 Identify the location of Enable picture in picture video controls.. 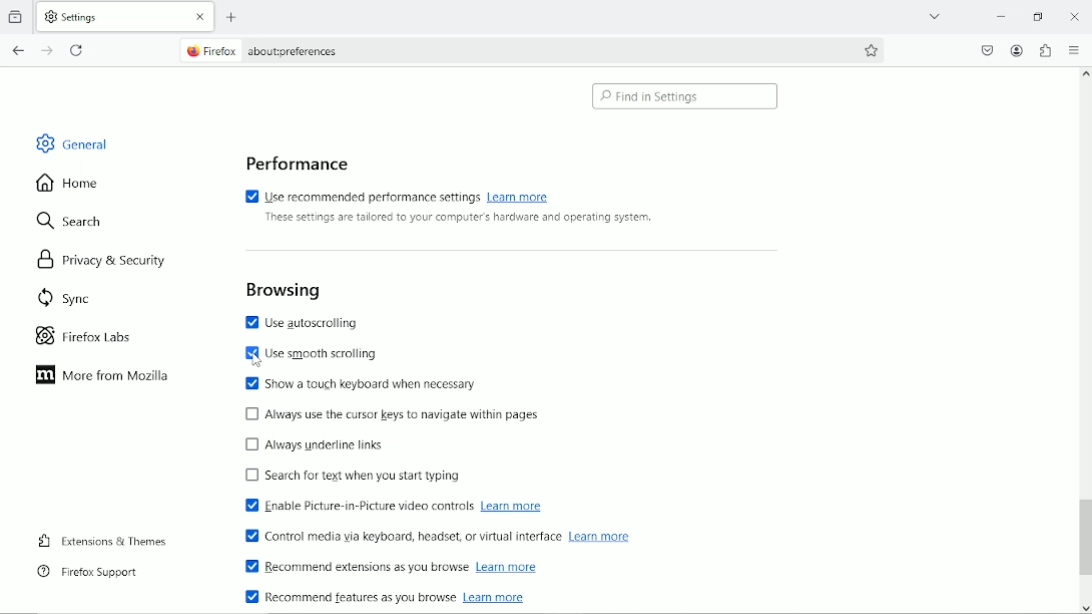
(353, 507).